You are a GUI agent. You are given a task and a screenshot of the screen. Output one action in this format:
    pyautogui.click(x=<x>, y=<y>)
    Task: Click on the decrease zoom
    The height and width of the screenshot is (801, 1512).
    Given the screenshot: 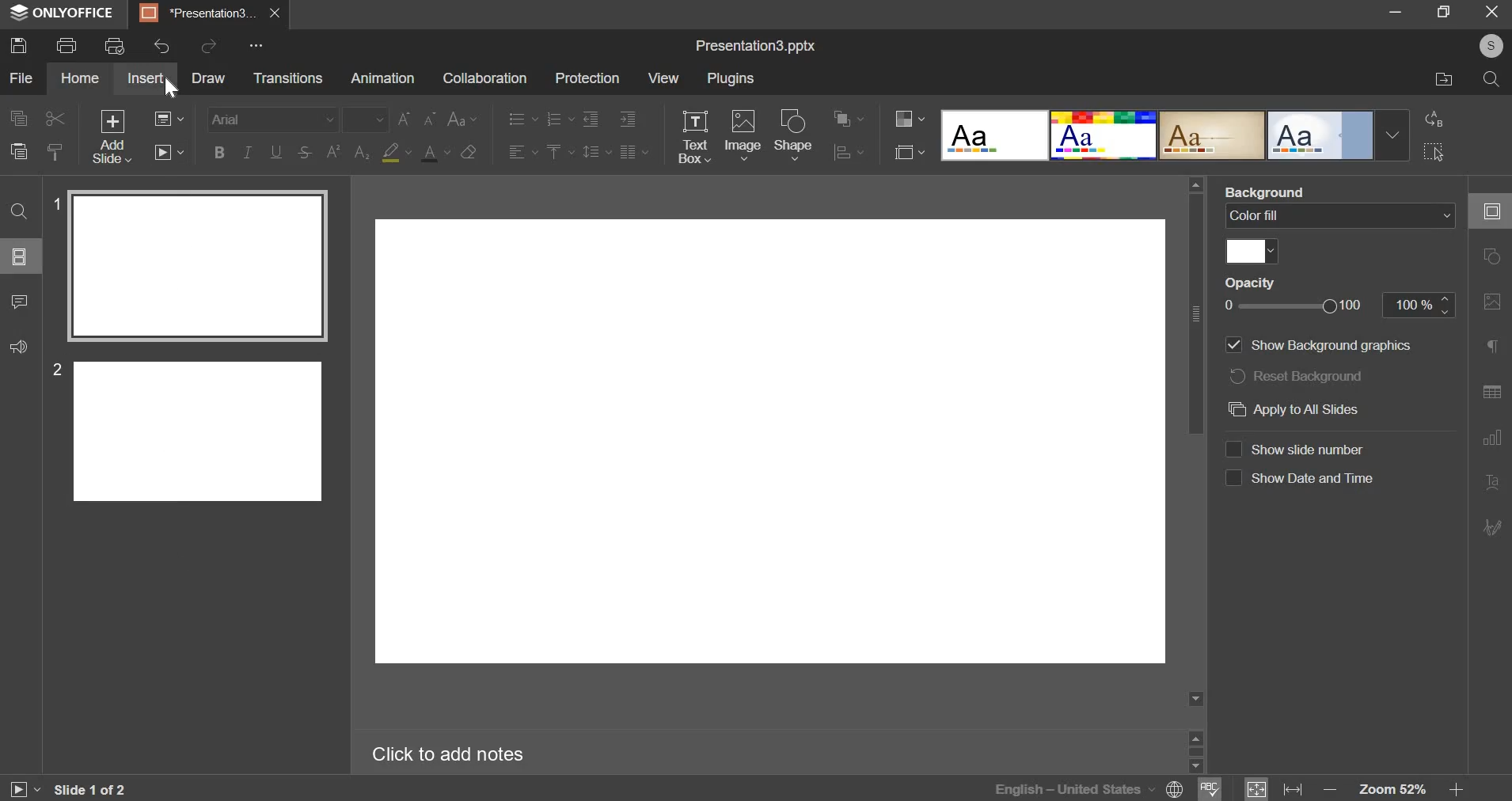 What is the action you would take?
    pyautogui.click(x=1331, y=790)
    